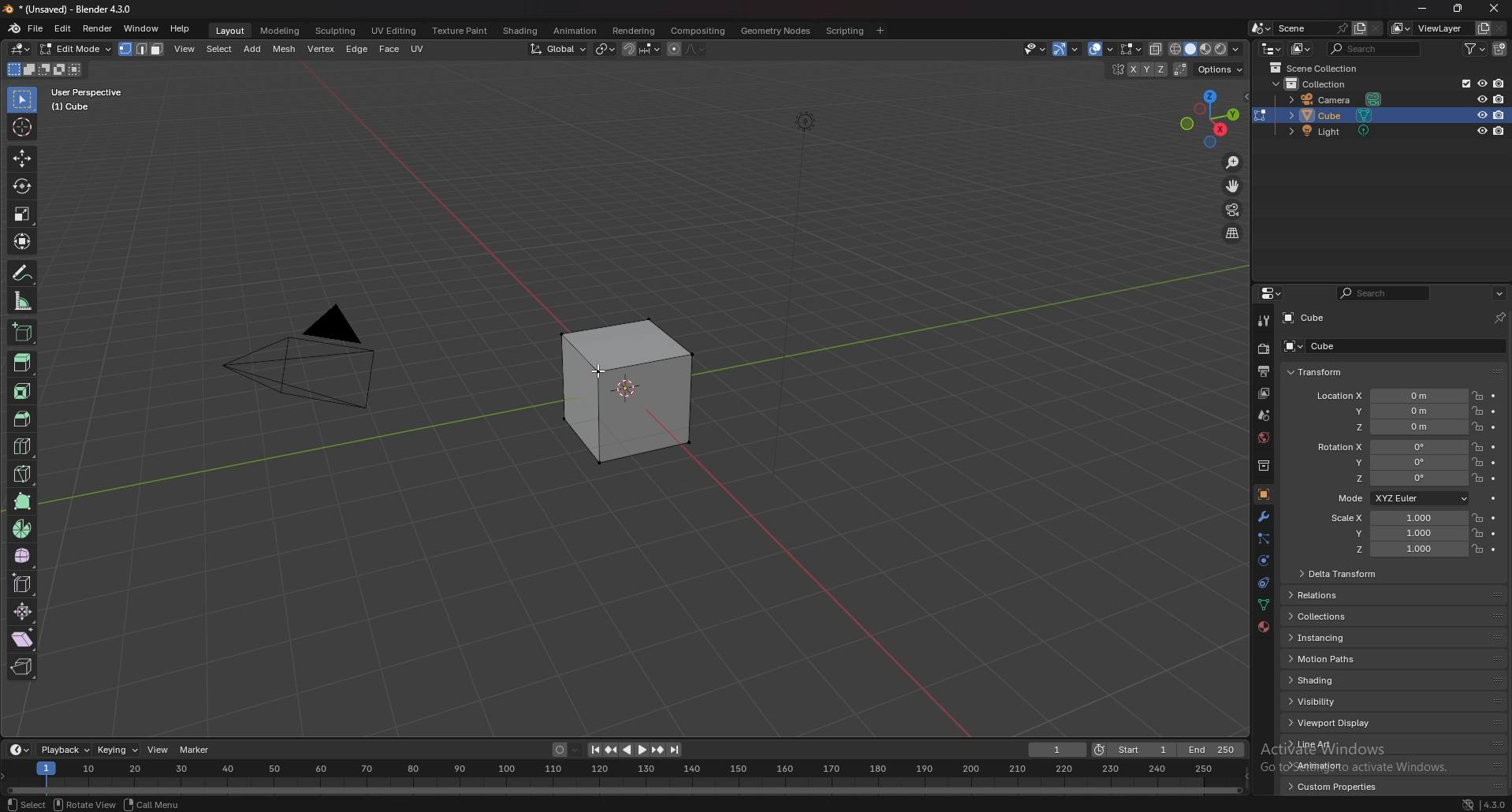 Image resolution: width=1512 pixels, height=812 pixels. I want to click on version, so click(1495, 804).